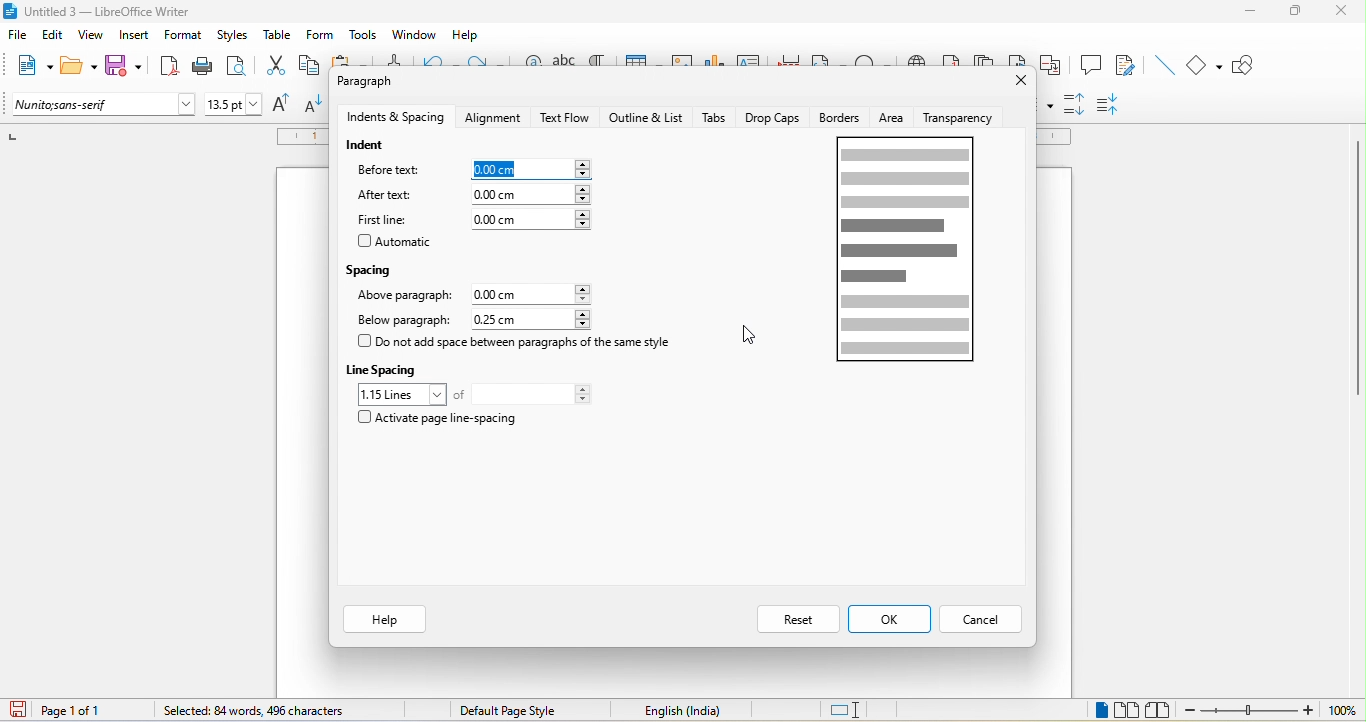 This screenshot has height=722, width=1366. I want to click on area, so click(892, 118).